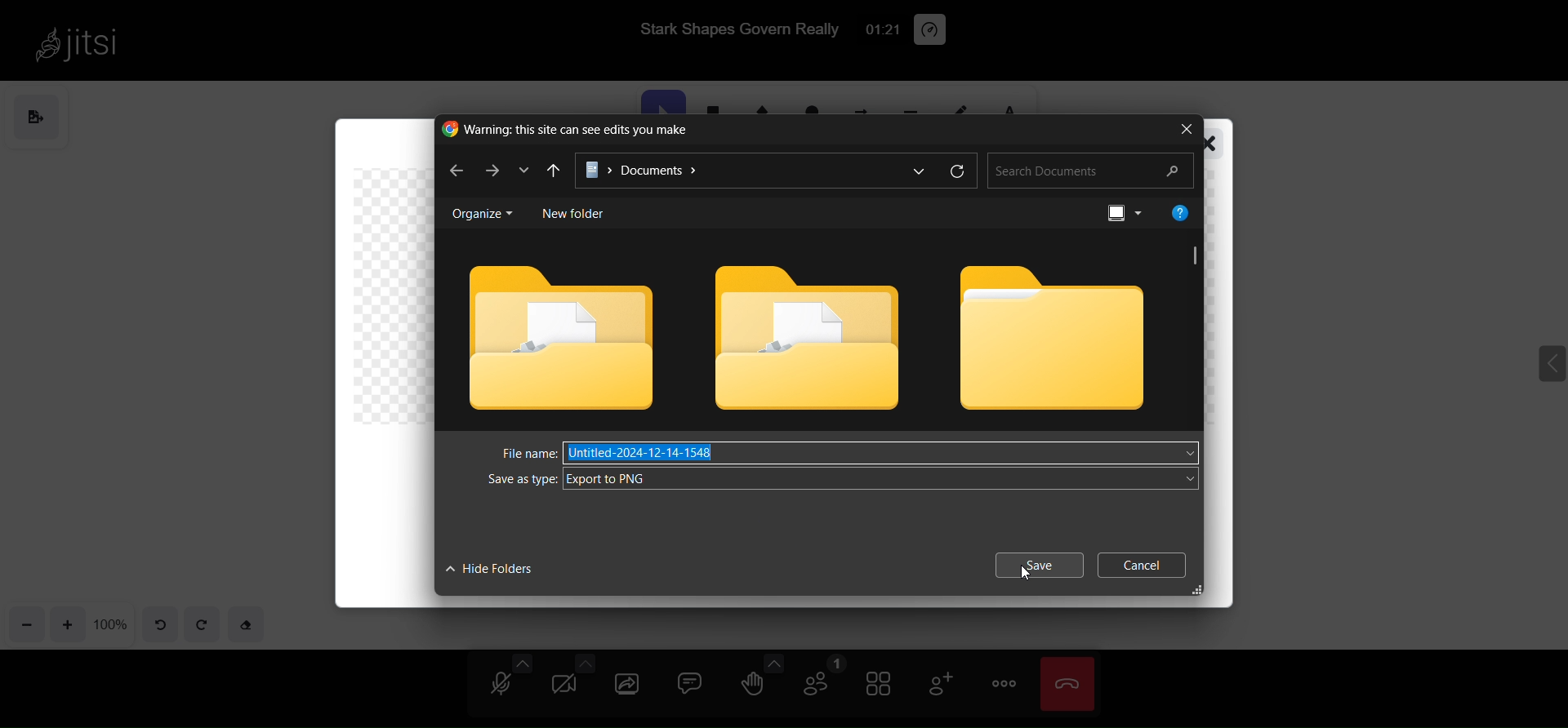 The height and width of the screenshot is (728, 1568). I want to click on hide folders , so click(492, 568).